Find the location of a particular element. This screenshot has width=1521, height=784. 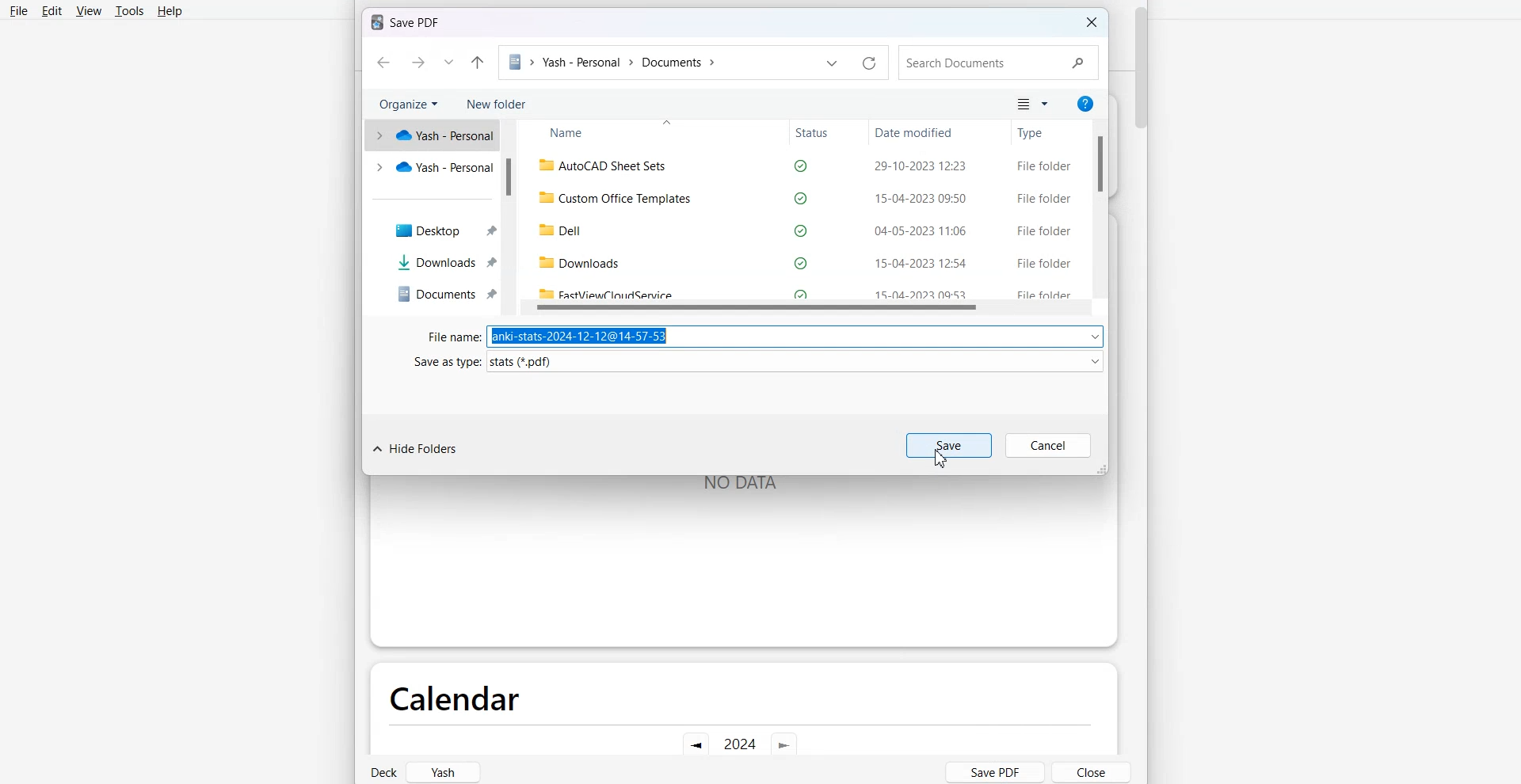

Documents is located at coordinates (429, 296).